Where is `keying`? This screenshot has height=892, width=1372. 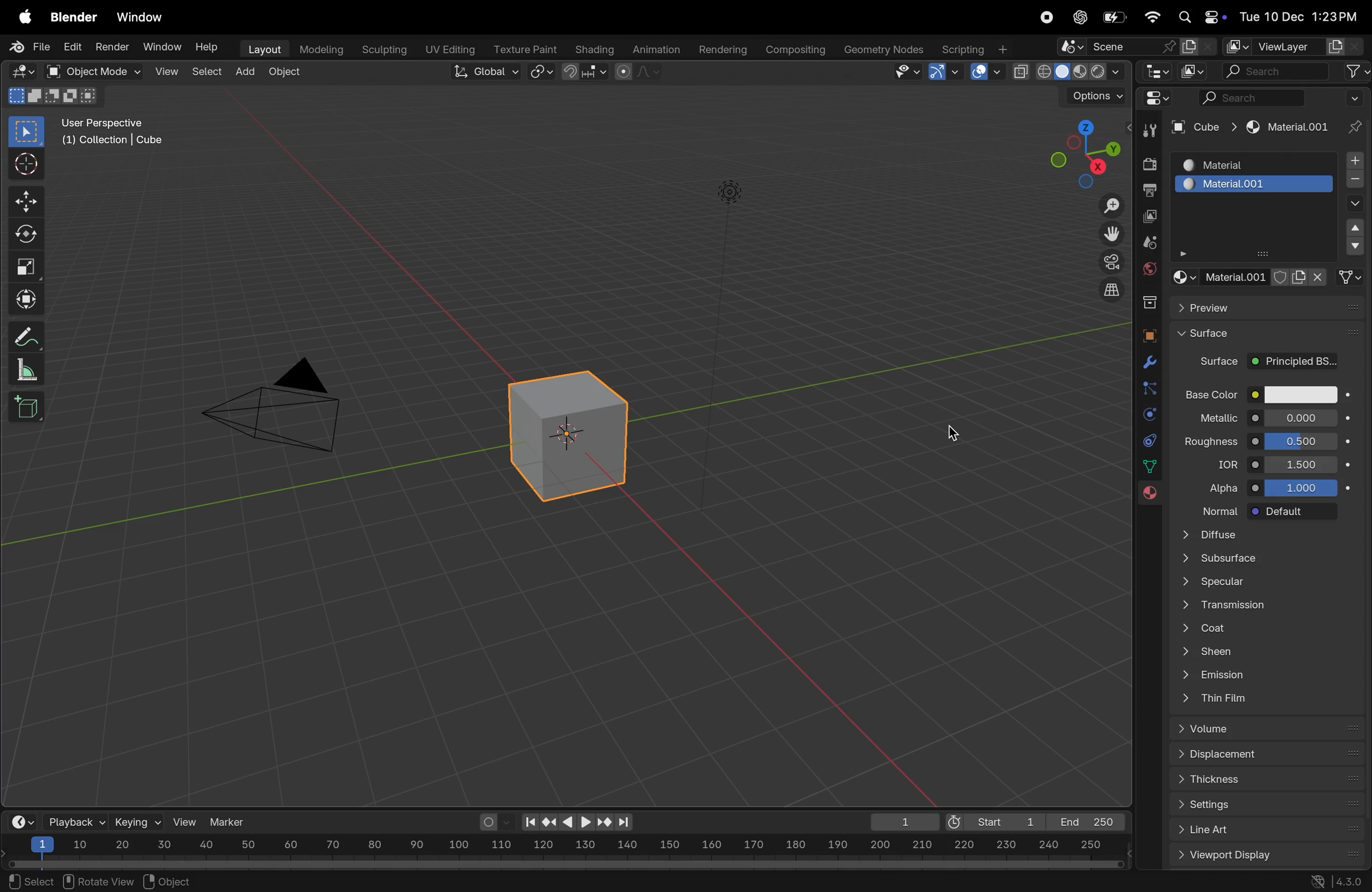
keying is located at coordinates (137, 821).